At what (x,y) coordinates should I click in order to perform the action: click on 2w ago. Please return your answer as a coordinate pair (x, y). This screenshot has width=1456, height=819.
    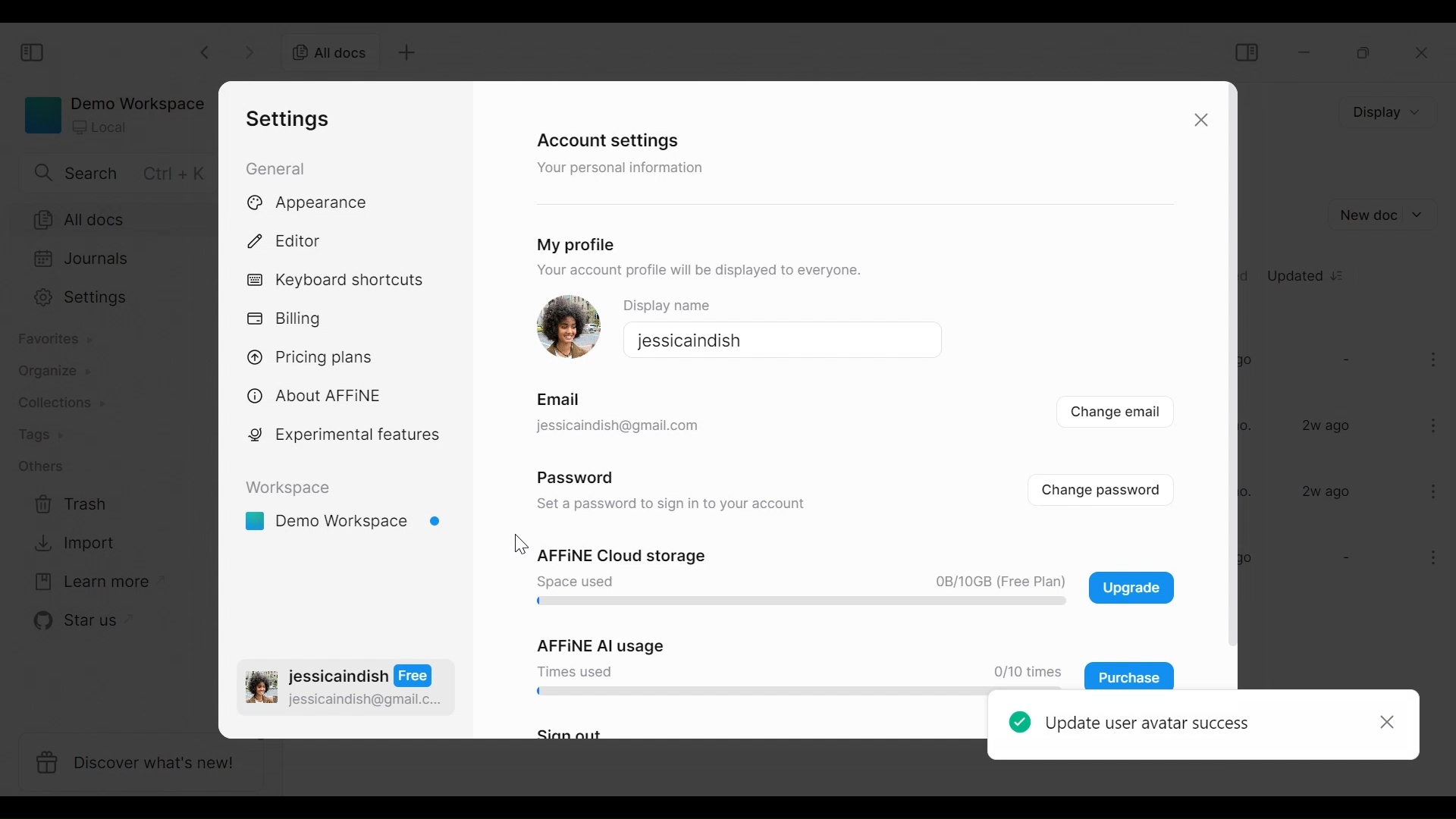
    Looking at the image, I should click on (1327, 491).